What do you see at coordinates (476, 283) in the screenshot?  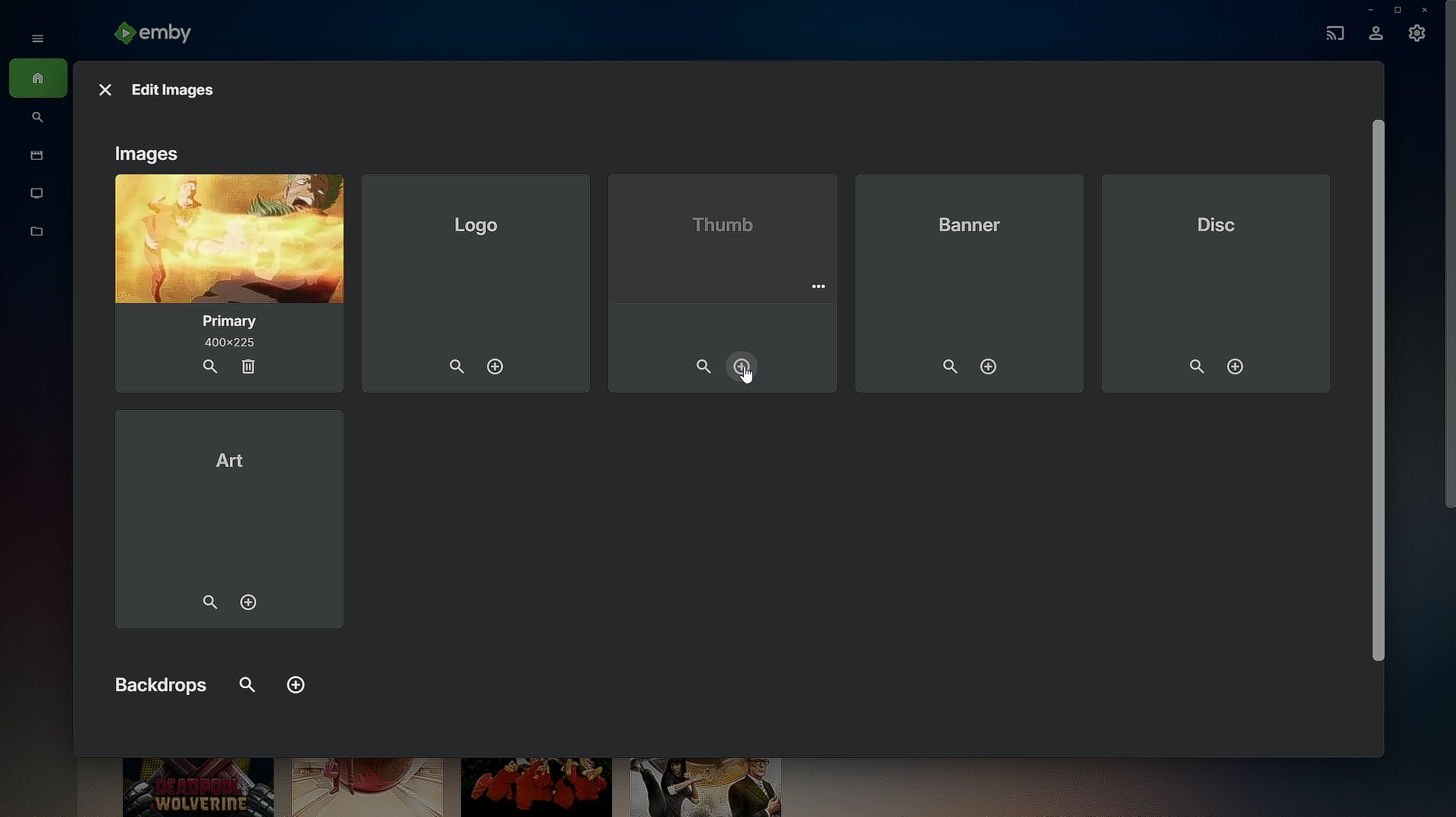 I see `Logo` at bounding box center [476, 283].